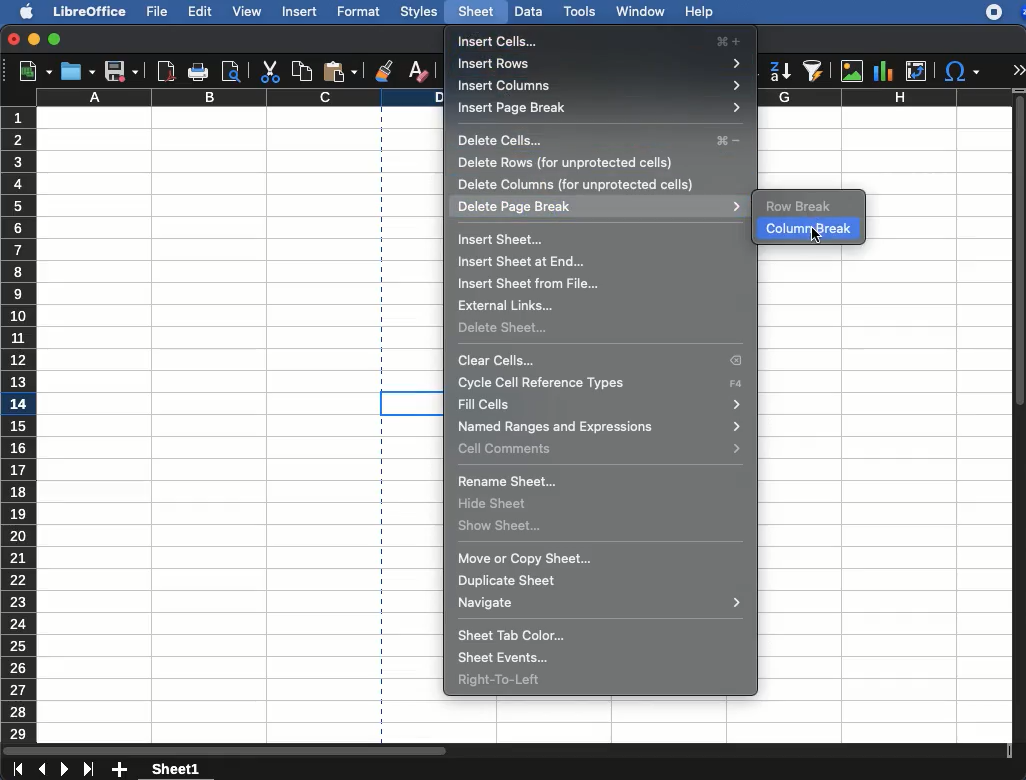  What do you see at coordinates (476, 11) in the screenshot?
I see `sheet` at bounding box center [476, 11].